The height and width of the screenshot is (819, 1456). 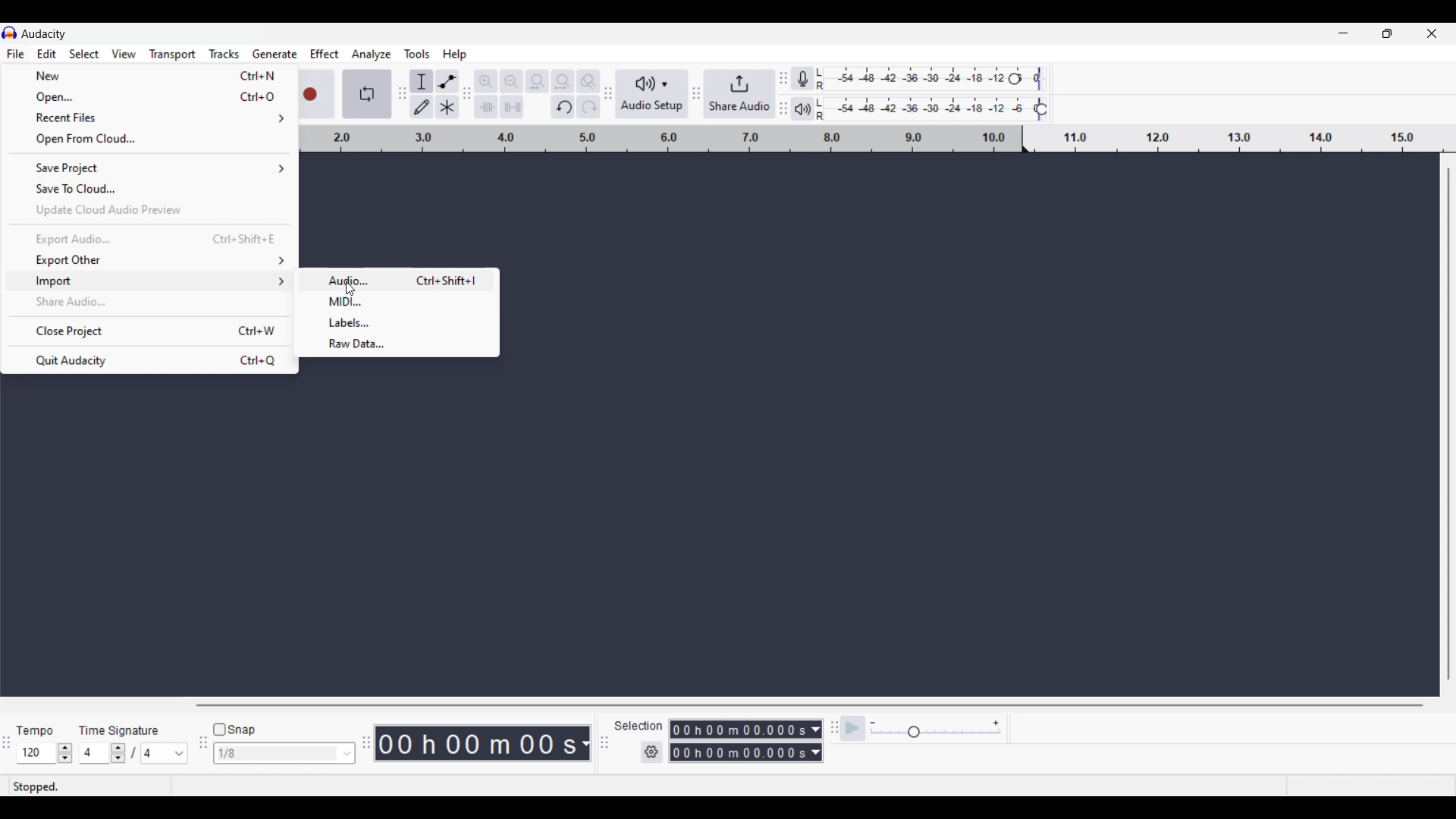 I want to click on Help menu, so click(x=455, y=55).